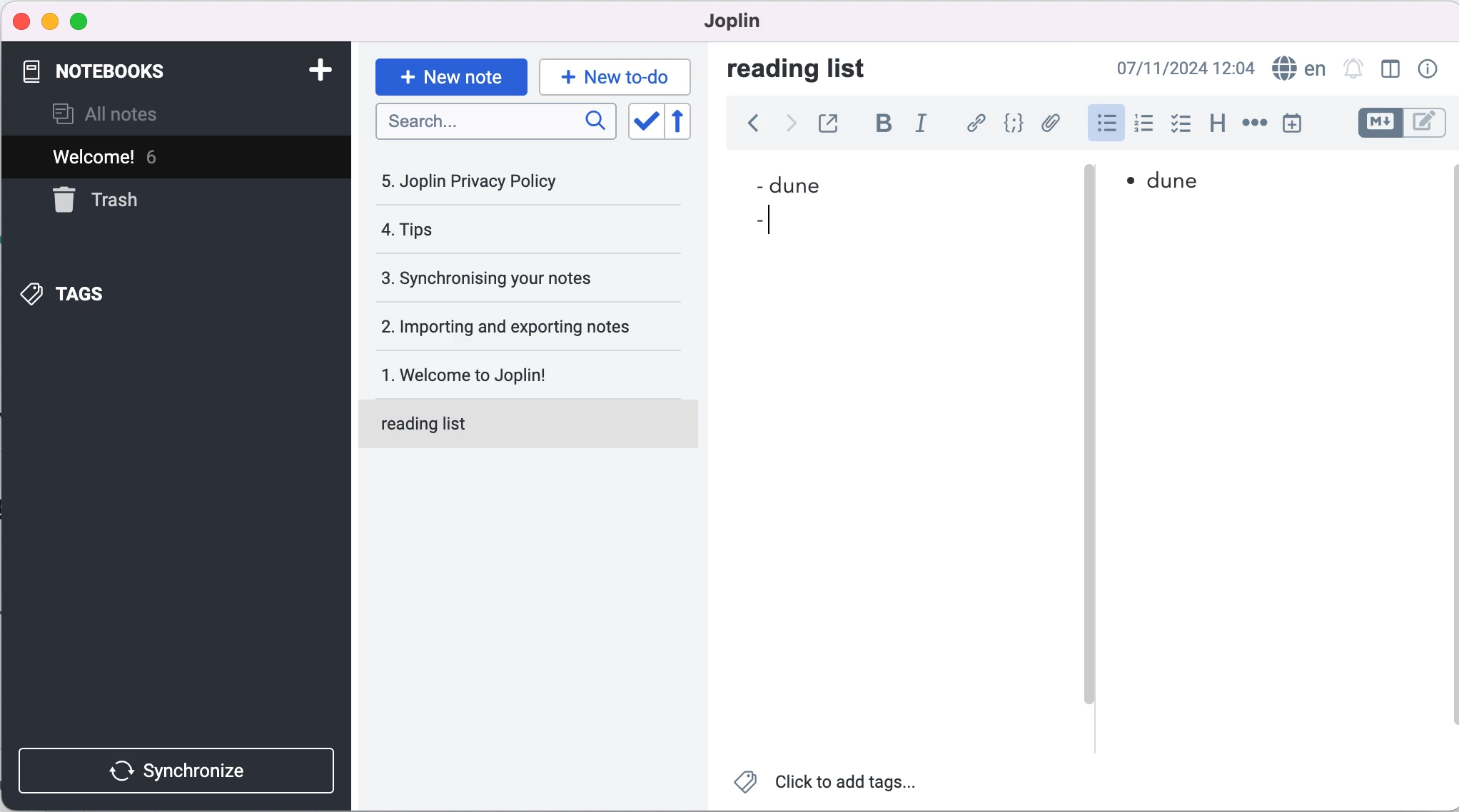  Describe the element at coordinates (762, 221) in the screenshot. I see `2nd bullet list` at that location.